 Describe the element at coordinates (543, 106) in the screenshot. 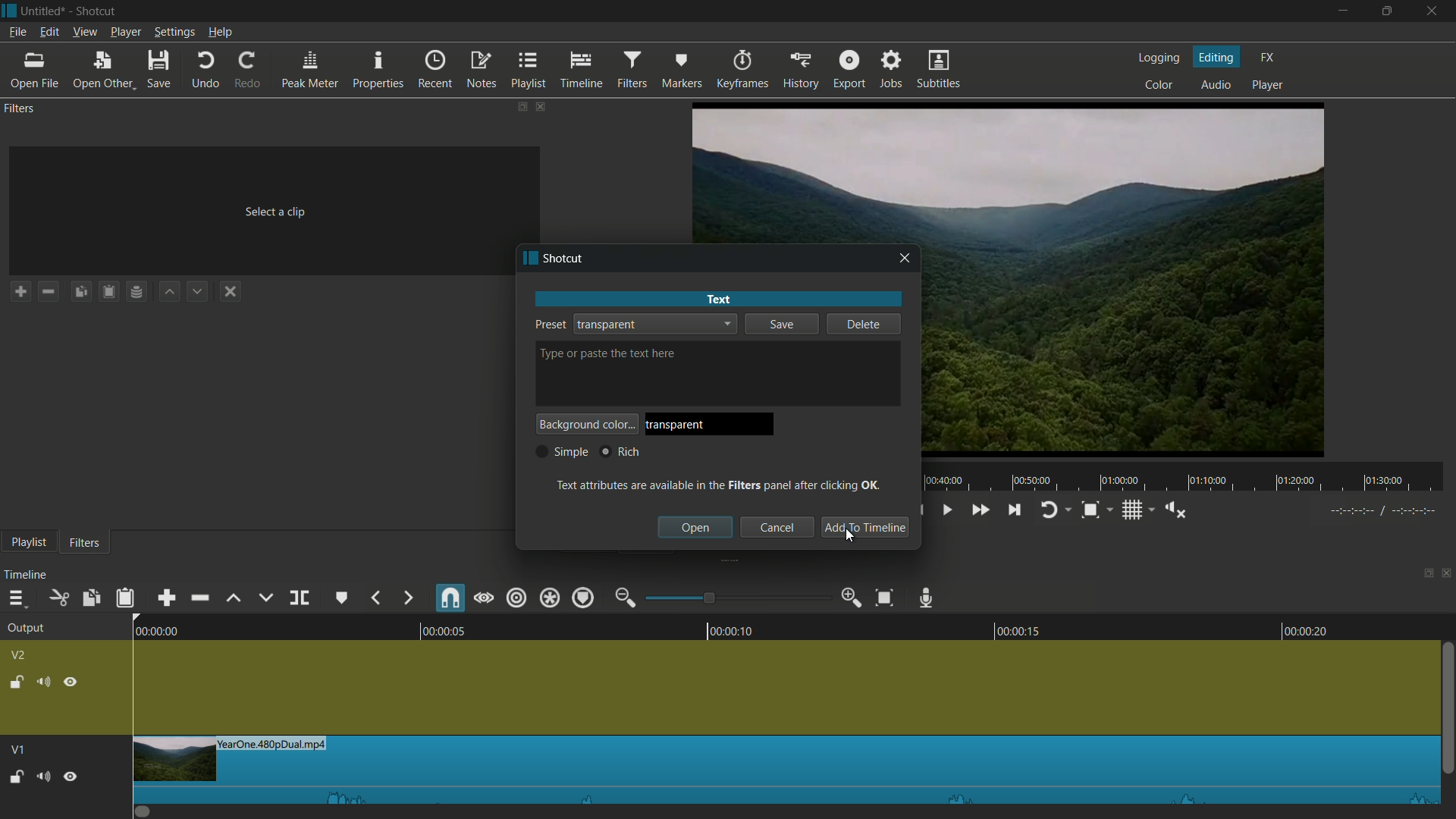

I see `close filters` at that location.